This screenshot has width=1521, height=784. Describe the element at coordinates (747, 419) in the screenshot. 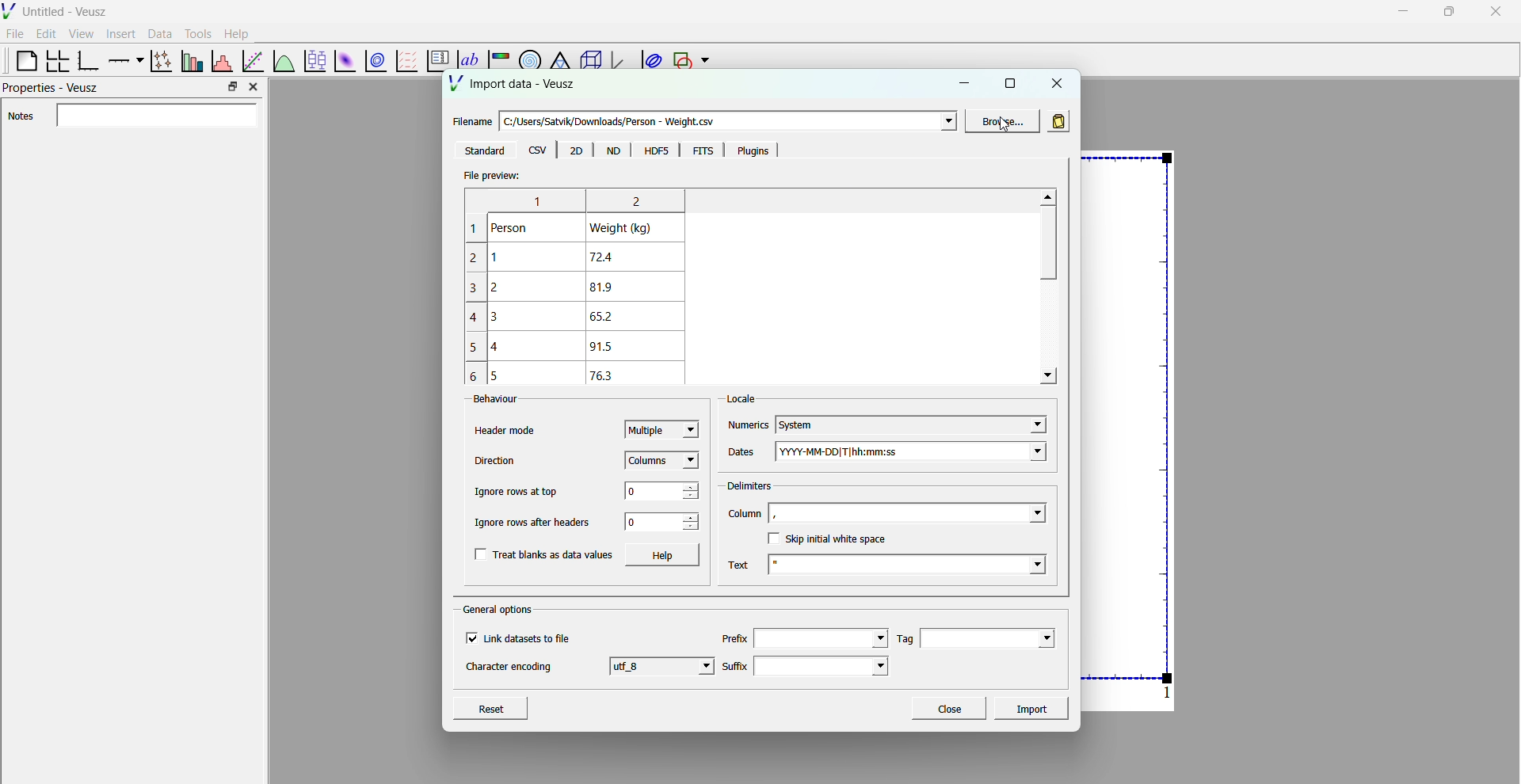

I see `Numerics` at that location.